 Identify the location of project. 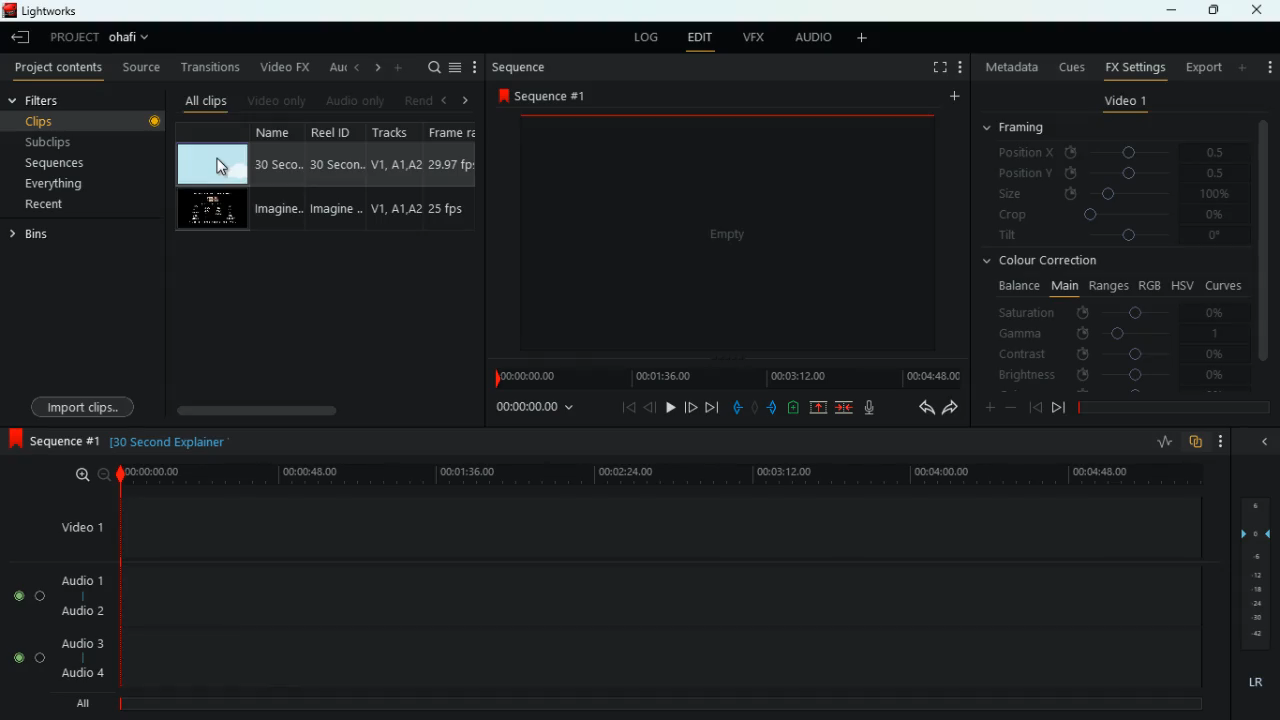
(102, 37).